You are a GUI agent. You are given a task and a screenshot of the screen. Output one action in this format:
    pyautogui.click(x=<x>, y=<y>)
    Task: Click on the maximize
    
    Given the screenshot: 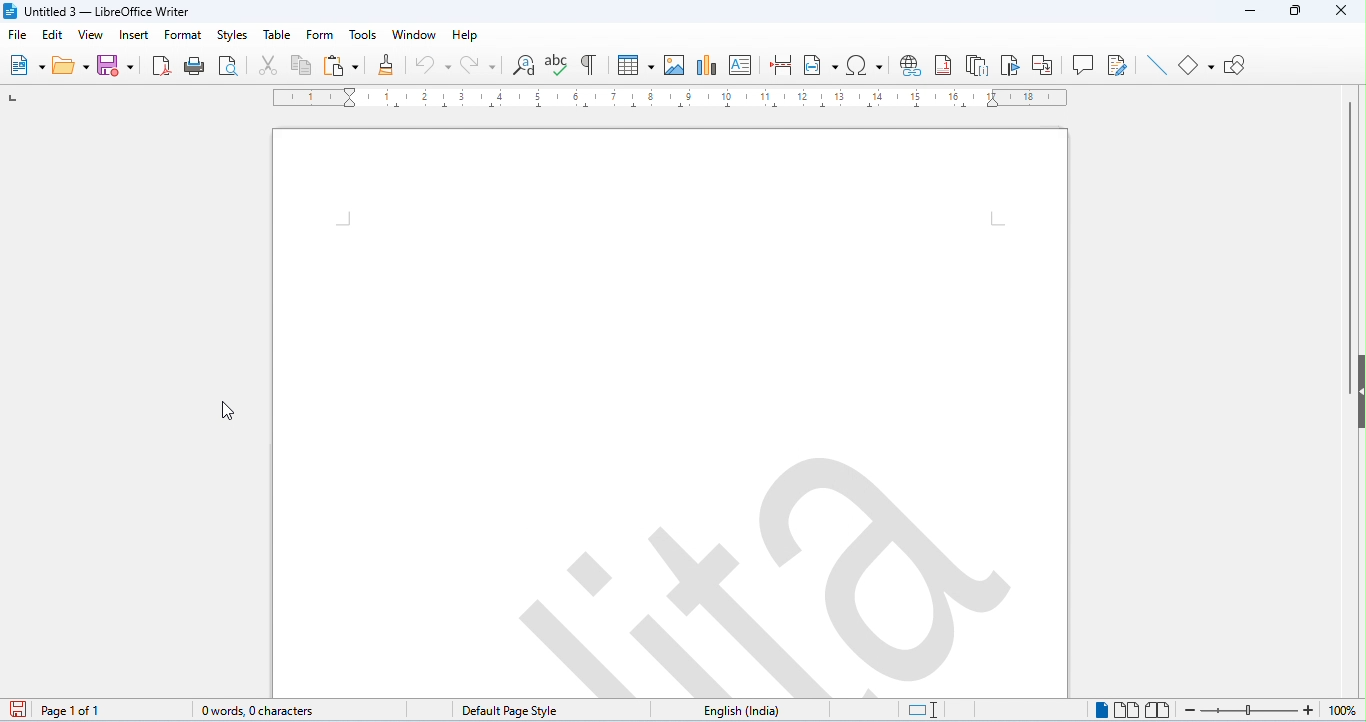 What is the action you would take?
    pyautogui.click(x=1290, y=11)
    